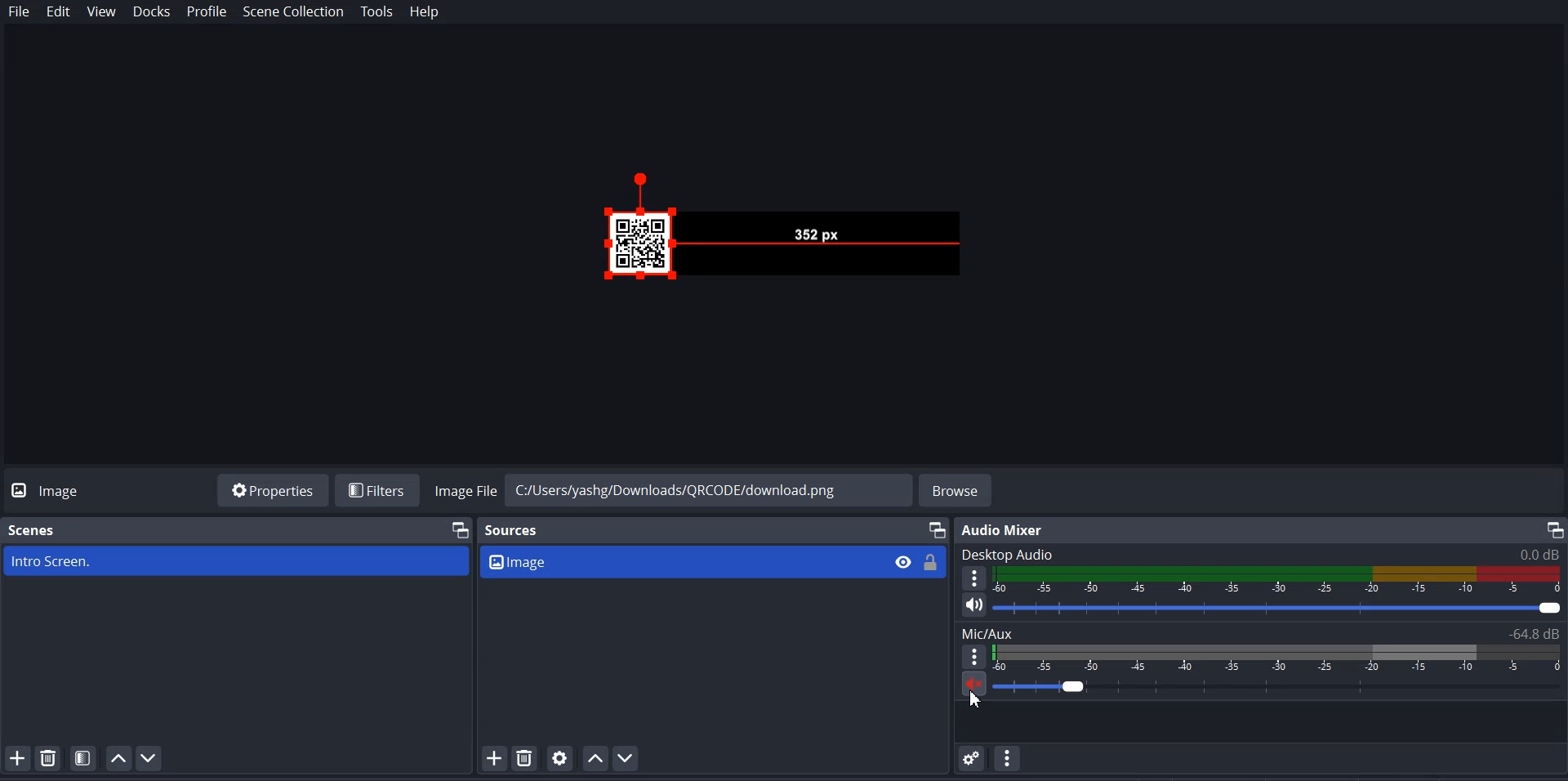 Image resolution: width=1568 pixels, height=781 pixels. I want to click on Help, so click(425, 12).